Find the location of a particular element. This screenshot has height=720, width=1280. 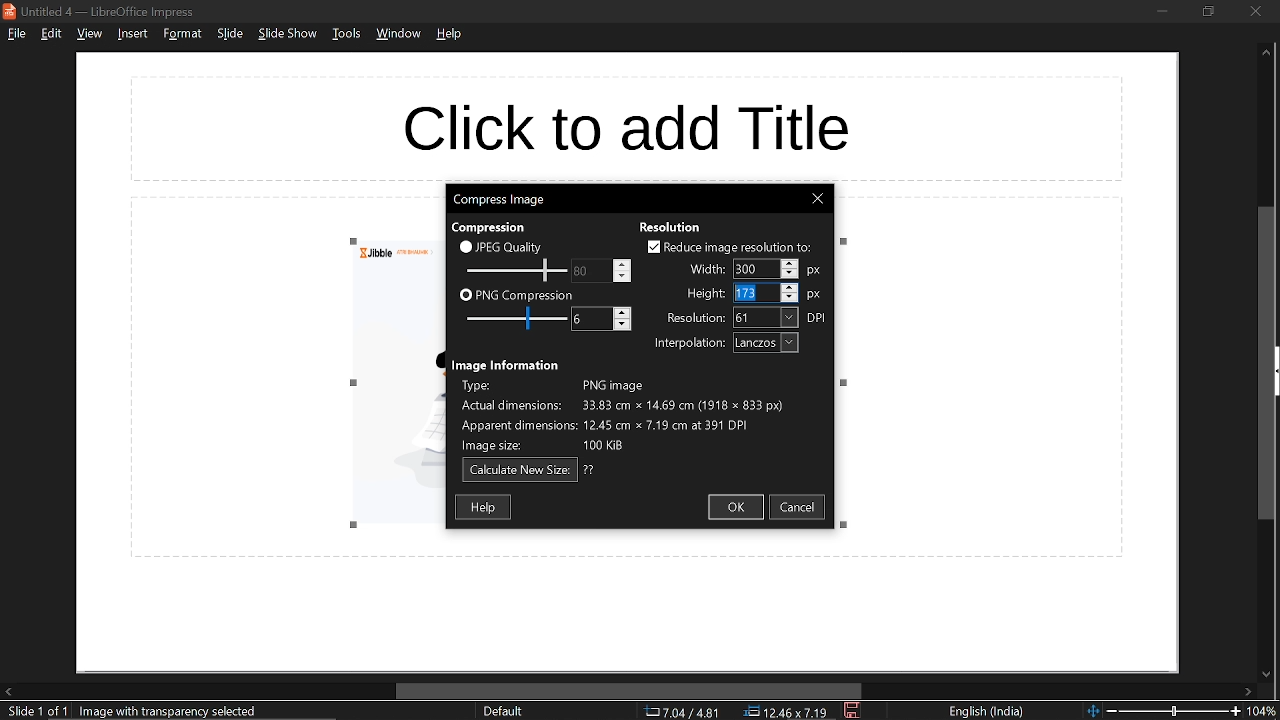

space for title is located at coordinates (646, 122).